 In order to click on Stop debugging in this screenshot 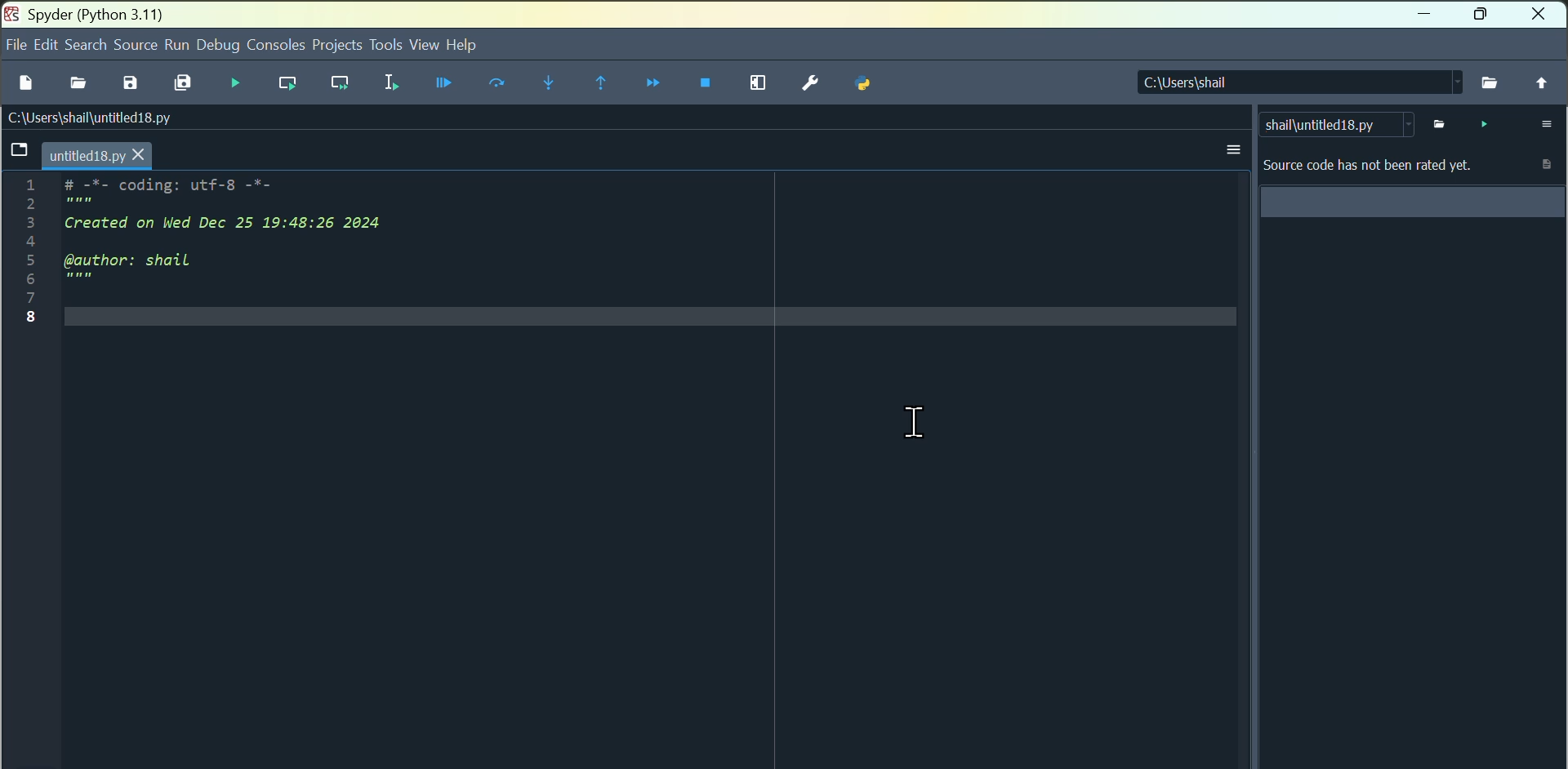, I will do `click(709, 85)`.